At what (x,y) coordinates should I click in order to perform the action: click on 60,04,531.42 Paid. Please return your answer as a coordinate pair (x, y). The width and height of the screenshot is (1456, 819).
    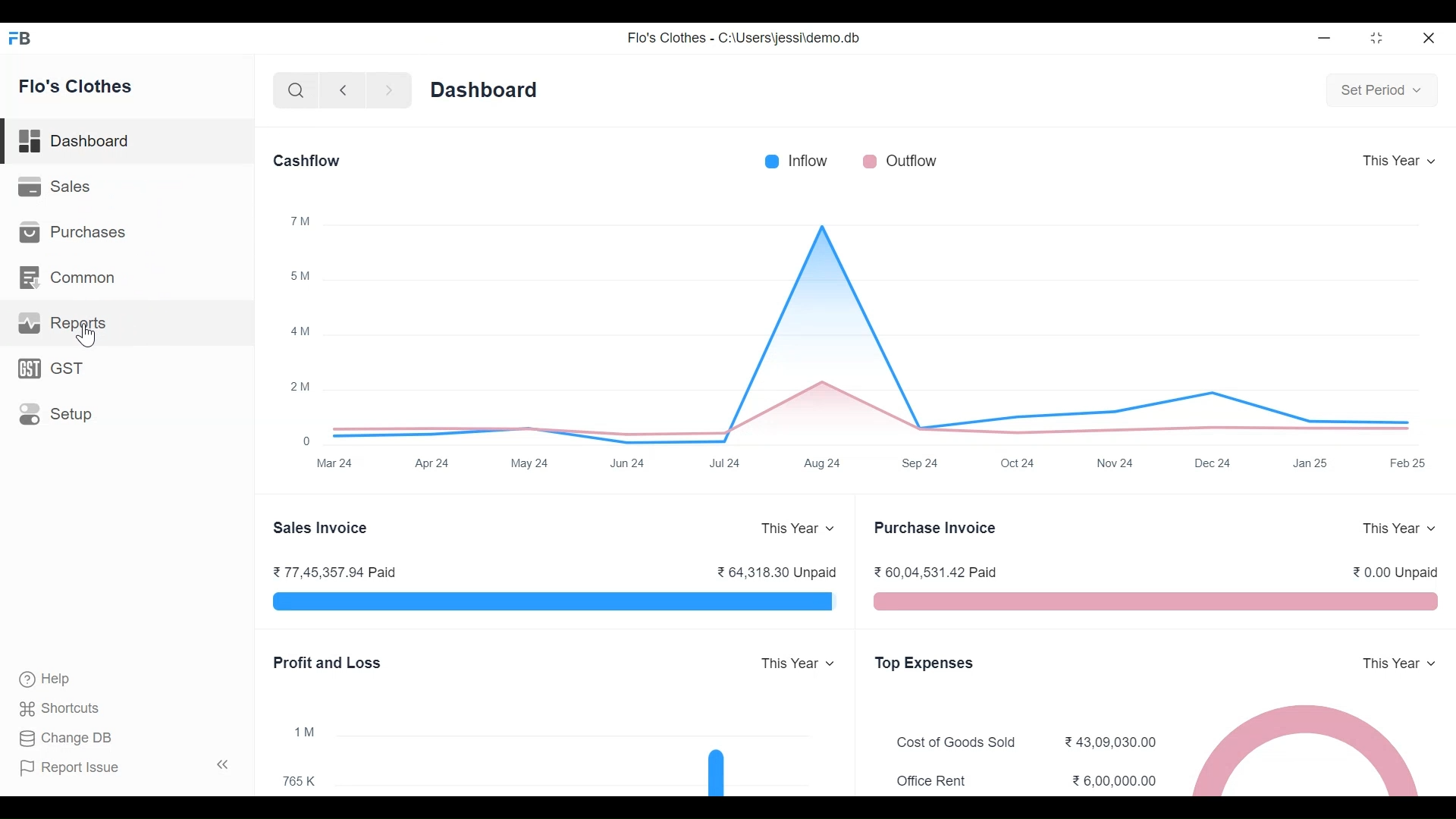
    Looking at the image, I should click on (939, 570).